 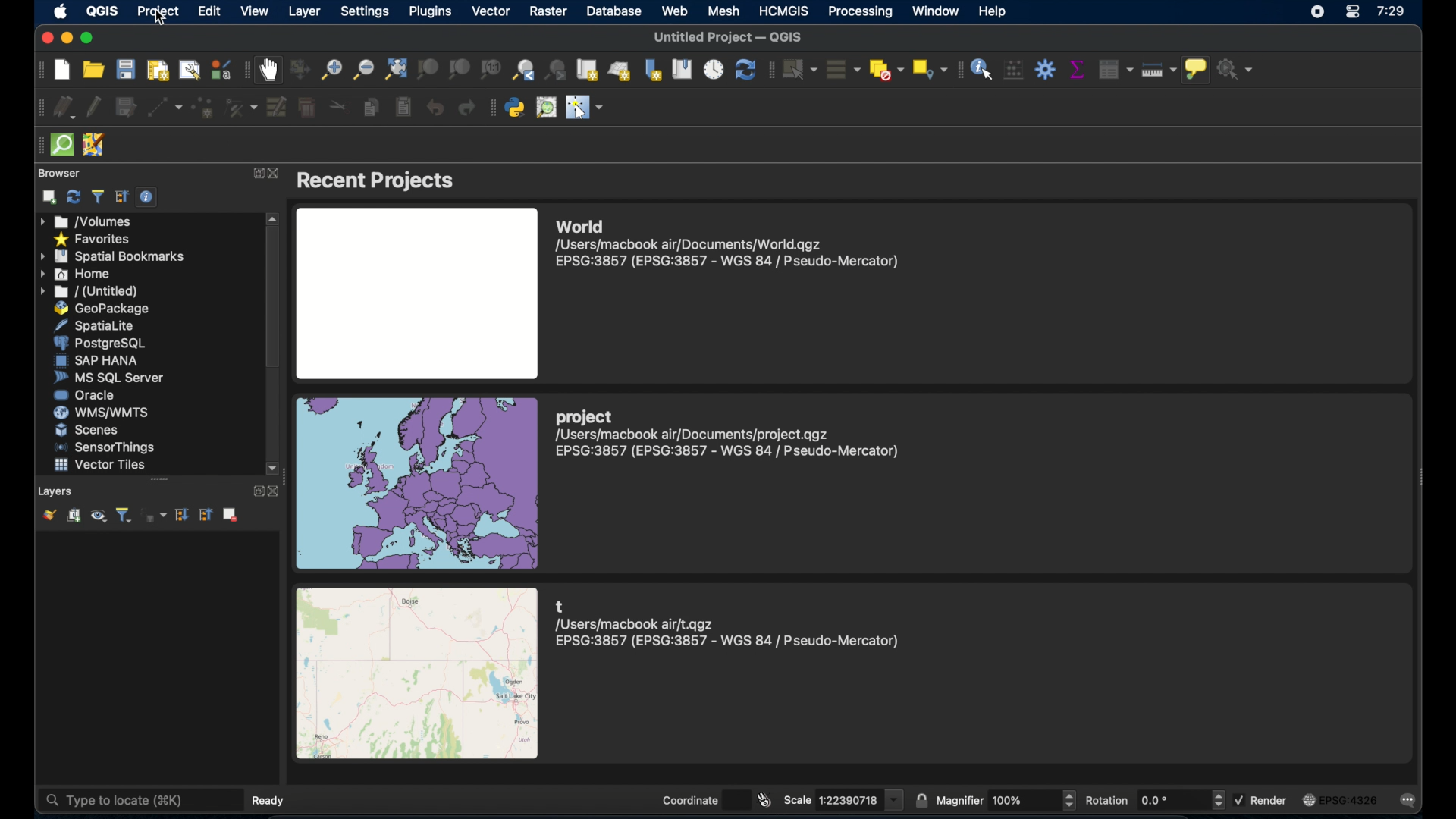 What do you see at coordinates (1395, 13) in the screenshot?
I see `7:29` at bounding box center [1395, 13].